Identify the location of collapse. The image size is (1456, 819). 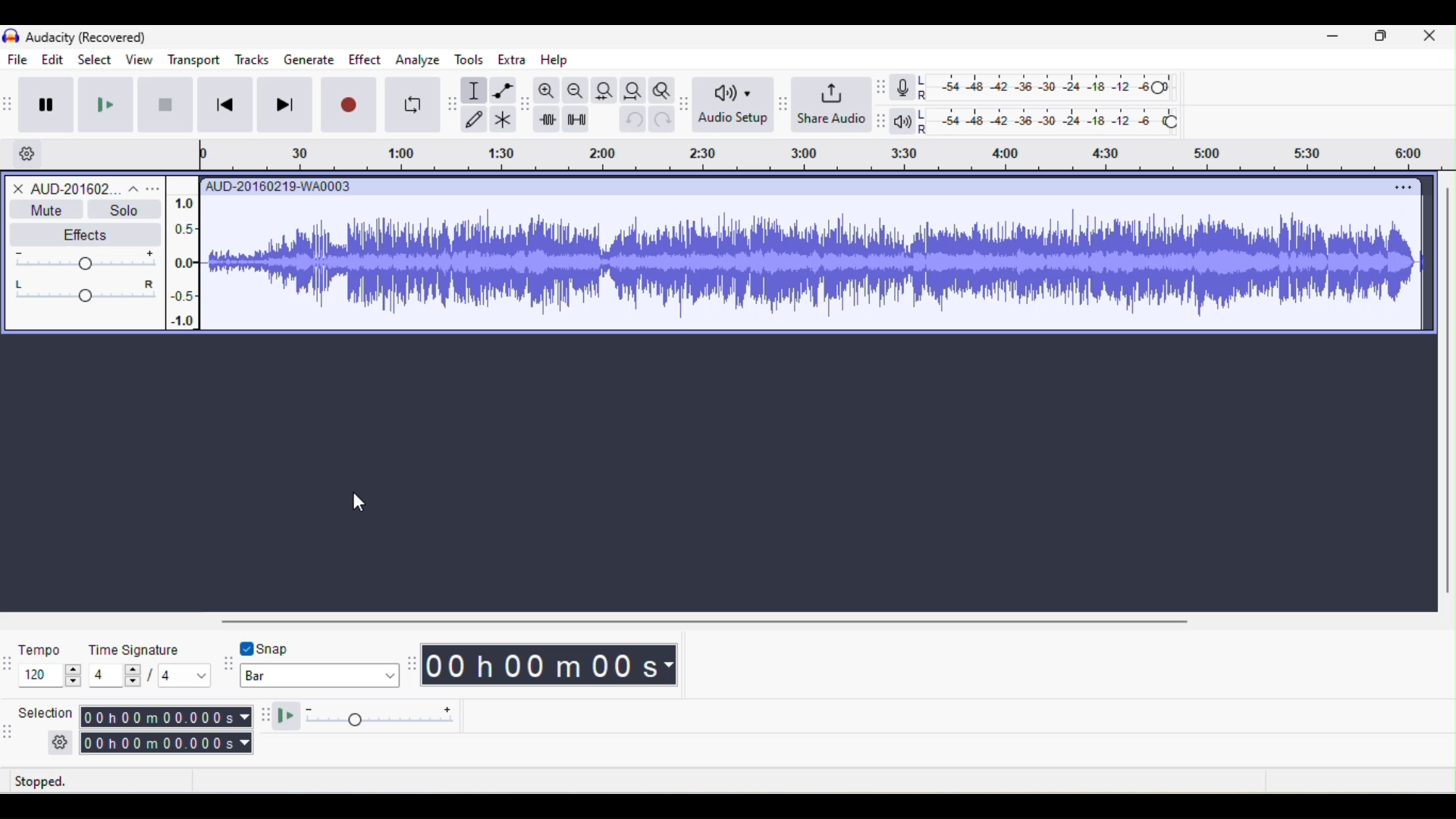
(130, 187).